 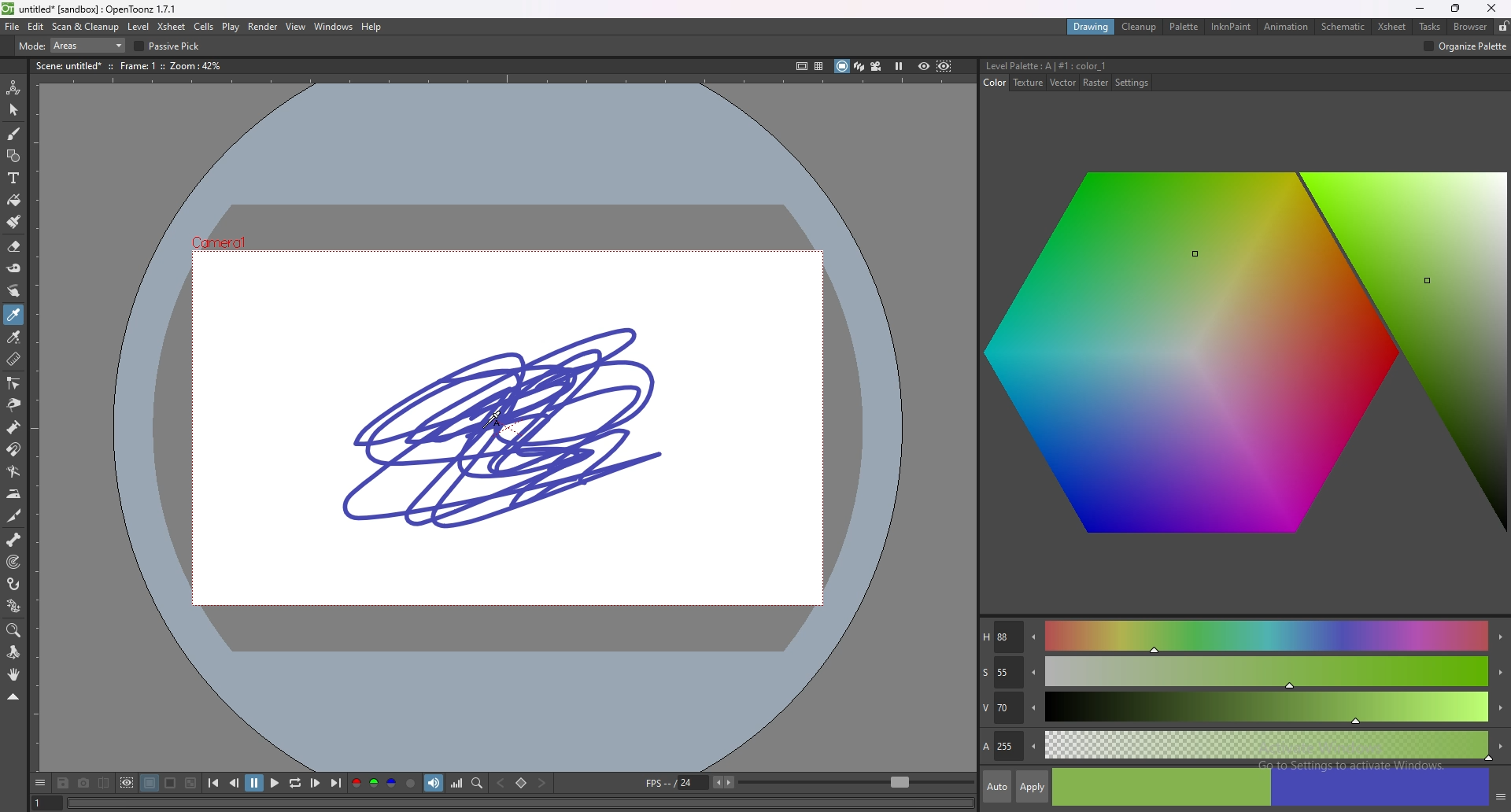 What do you see at coordinates (14, 200) in the screenshot?
I see `fill tool` at bounding box center [14, 200].